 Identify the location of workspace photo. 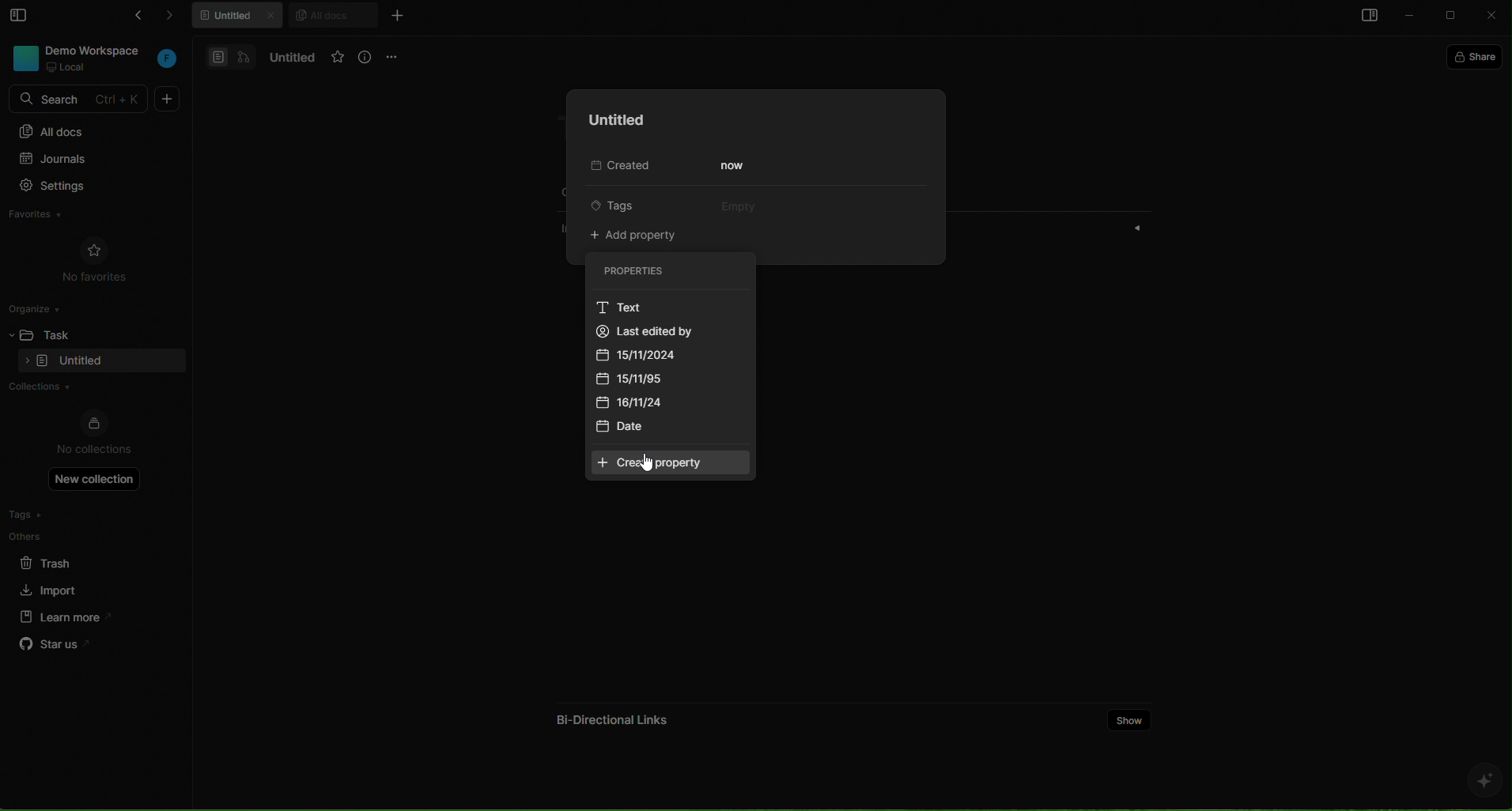
(24, 57).